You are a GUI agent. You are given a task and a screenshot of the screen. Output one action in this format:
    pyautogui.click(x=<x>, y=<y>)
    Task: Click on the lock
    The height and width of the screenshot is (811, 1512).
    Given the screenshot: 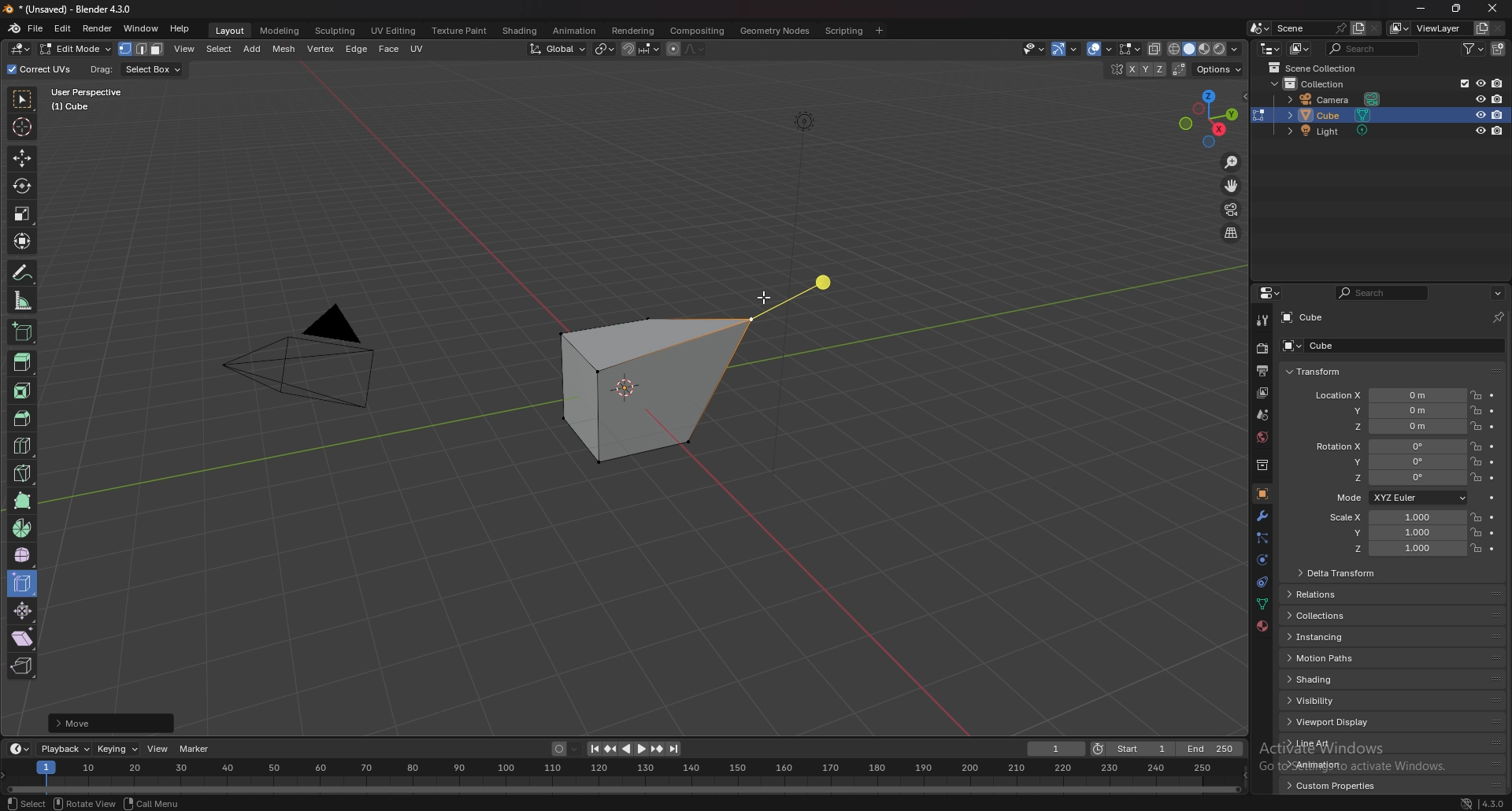 What is the action you would take?
    pyautogui.click(x=1477, y=411)
    